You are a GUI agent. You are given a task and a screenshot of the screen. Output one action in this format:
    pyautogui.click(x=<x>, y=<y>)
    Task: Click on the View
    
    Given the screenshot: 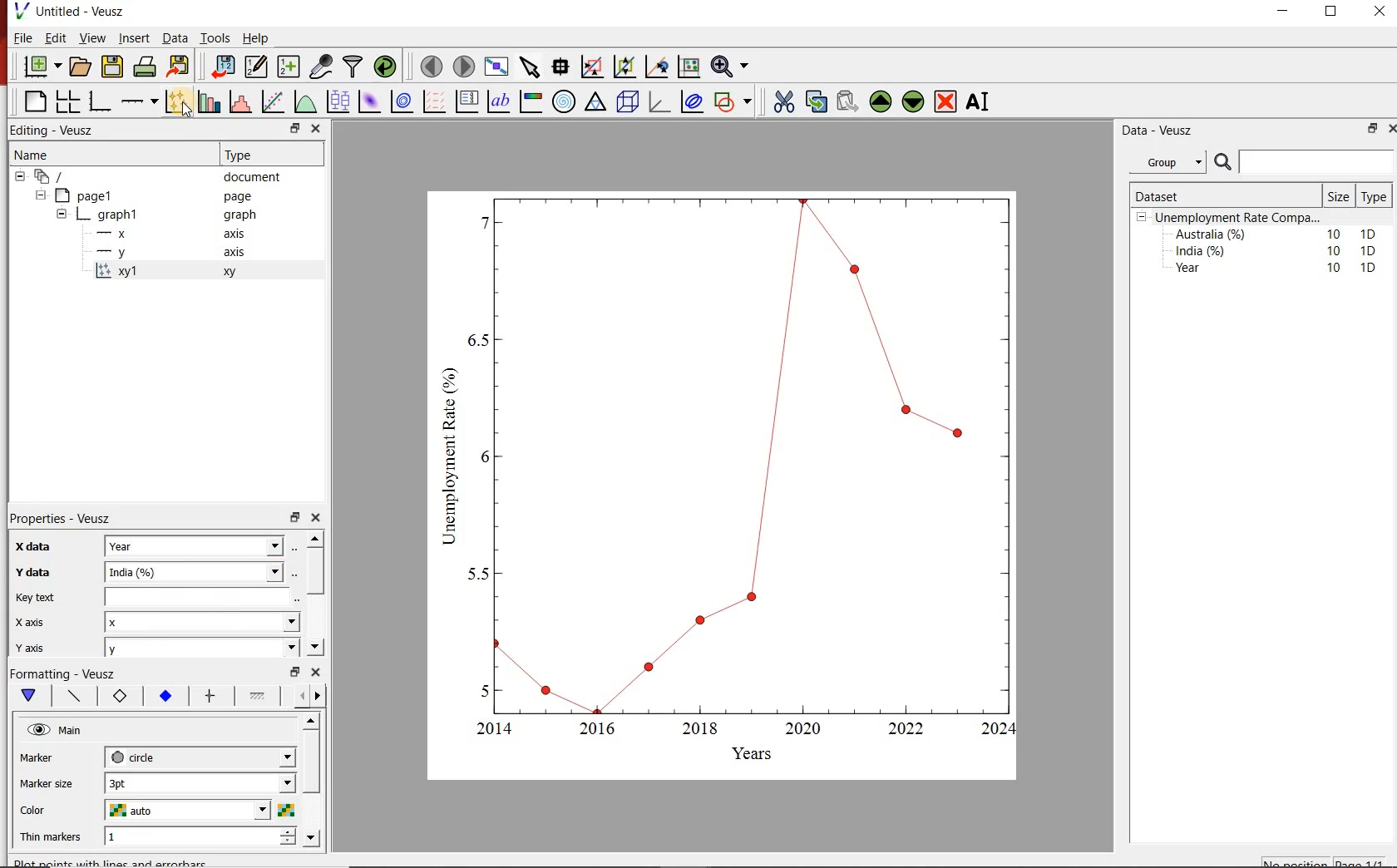 What is the action you would take?
    pyautogui.click(x=91, y=38)
    